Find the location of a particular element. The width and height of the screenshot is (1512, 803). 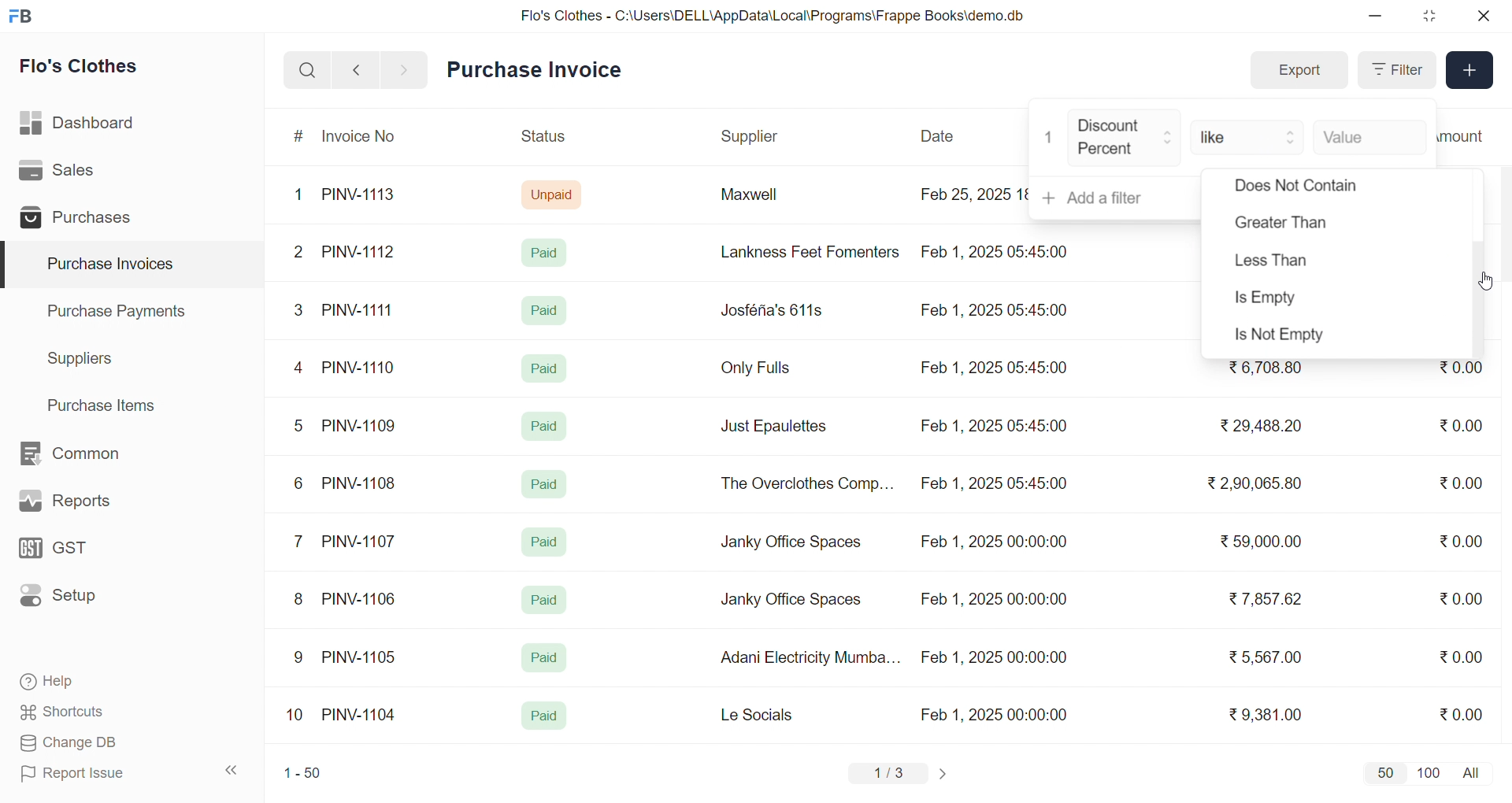

Le Socials is located at coordinates (770, 714).